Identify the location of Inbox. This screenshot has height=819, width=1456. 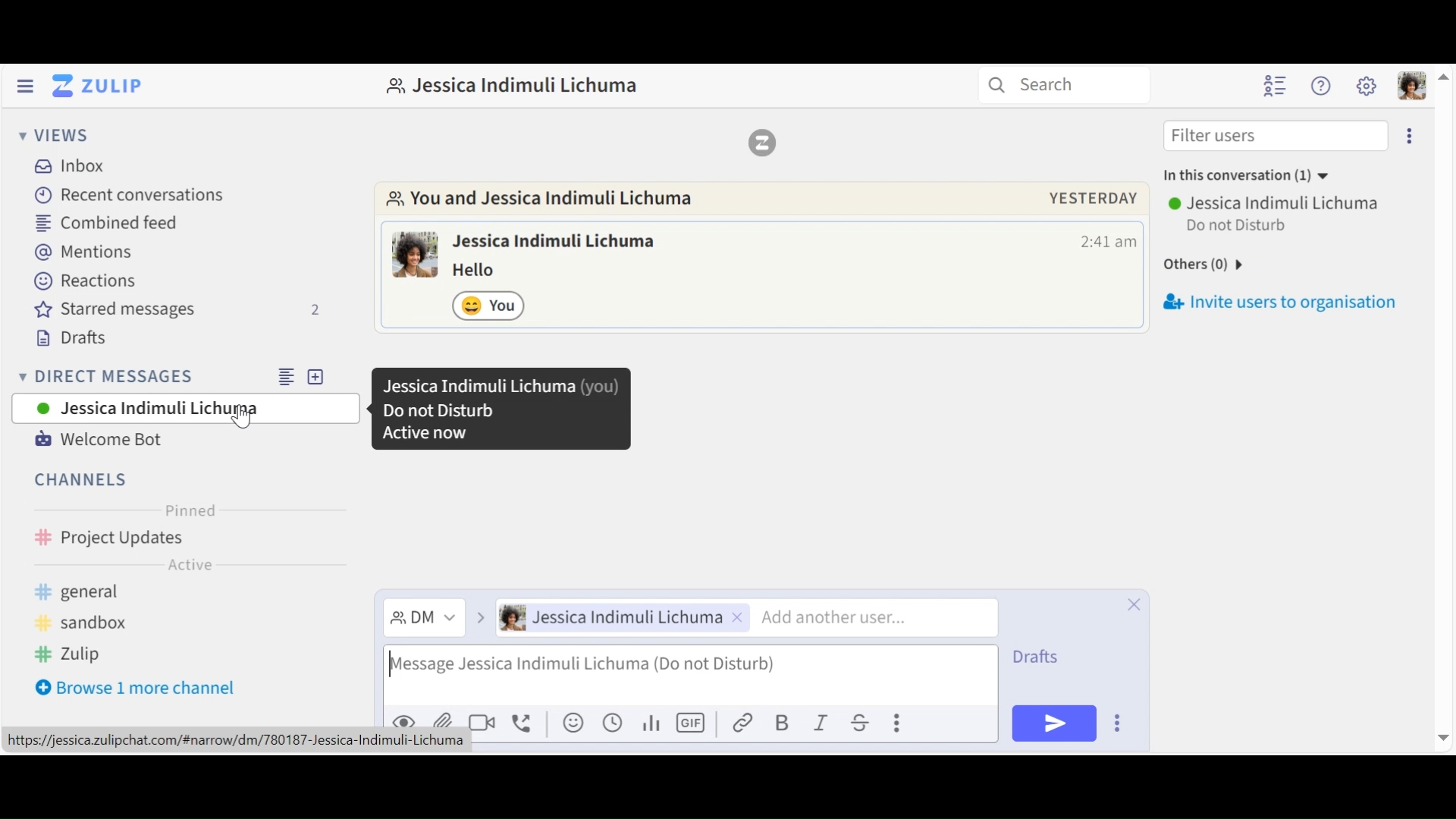
(71, 165).